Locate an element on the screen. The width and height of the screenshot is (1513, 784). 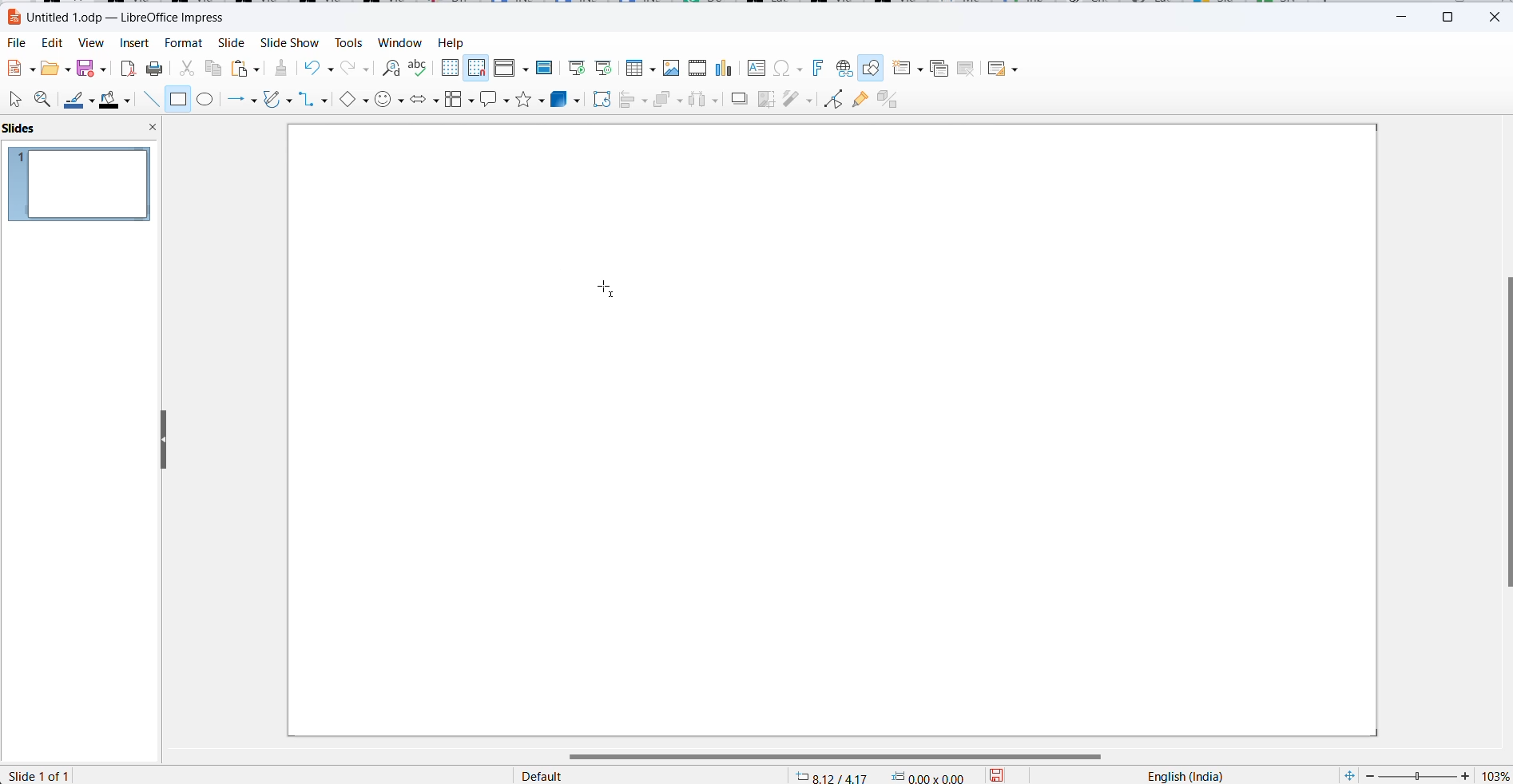
fill color options is located at coordinates (125, 101).